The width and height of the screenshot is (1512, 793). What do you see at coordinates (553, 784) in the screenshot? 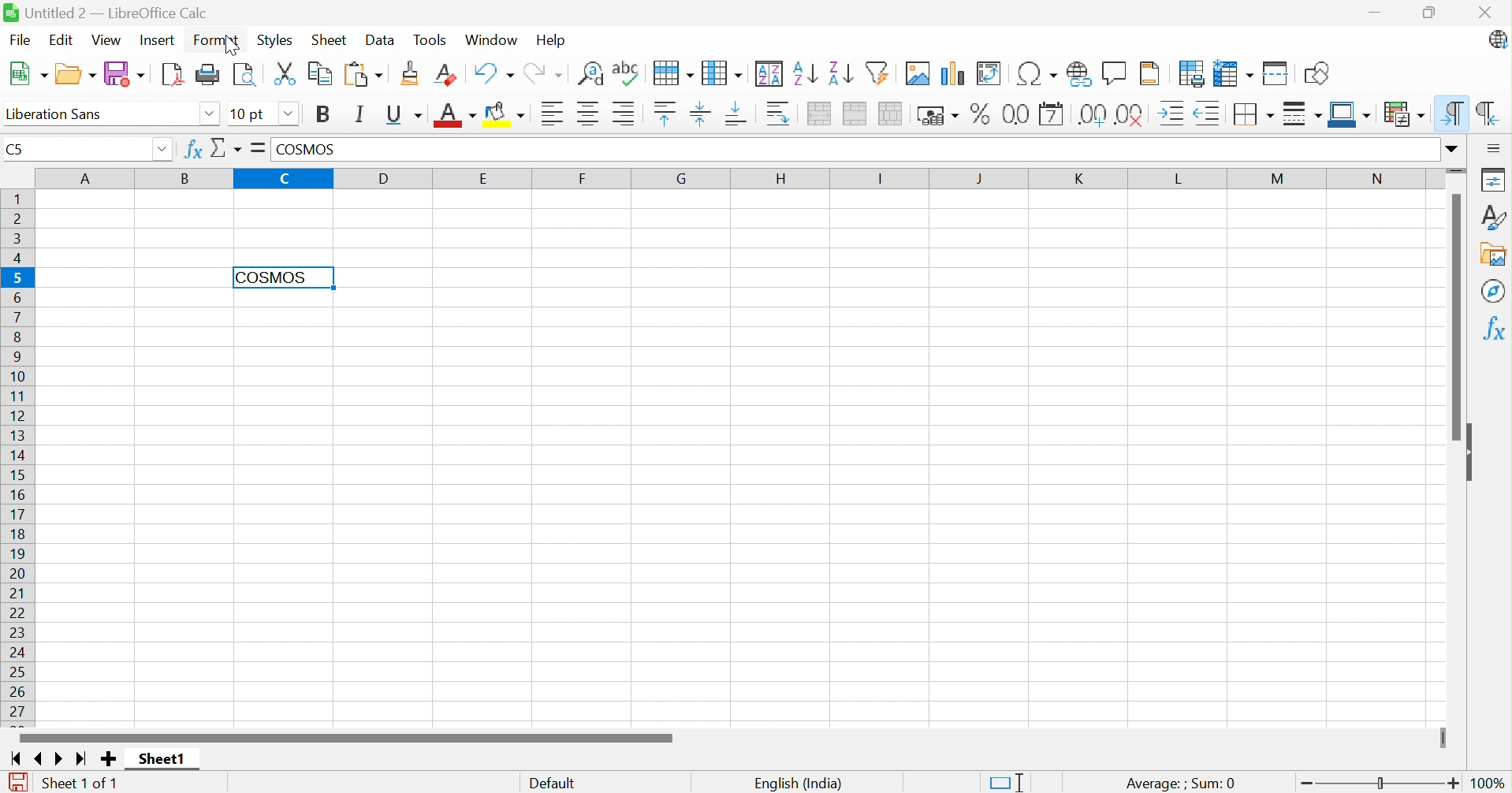
I see `Default` at bounding box center [553, 784].